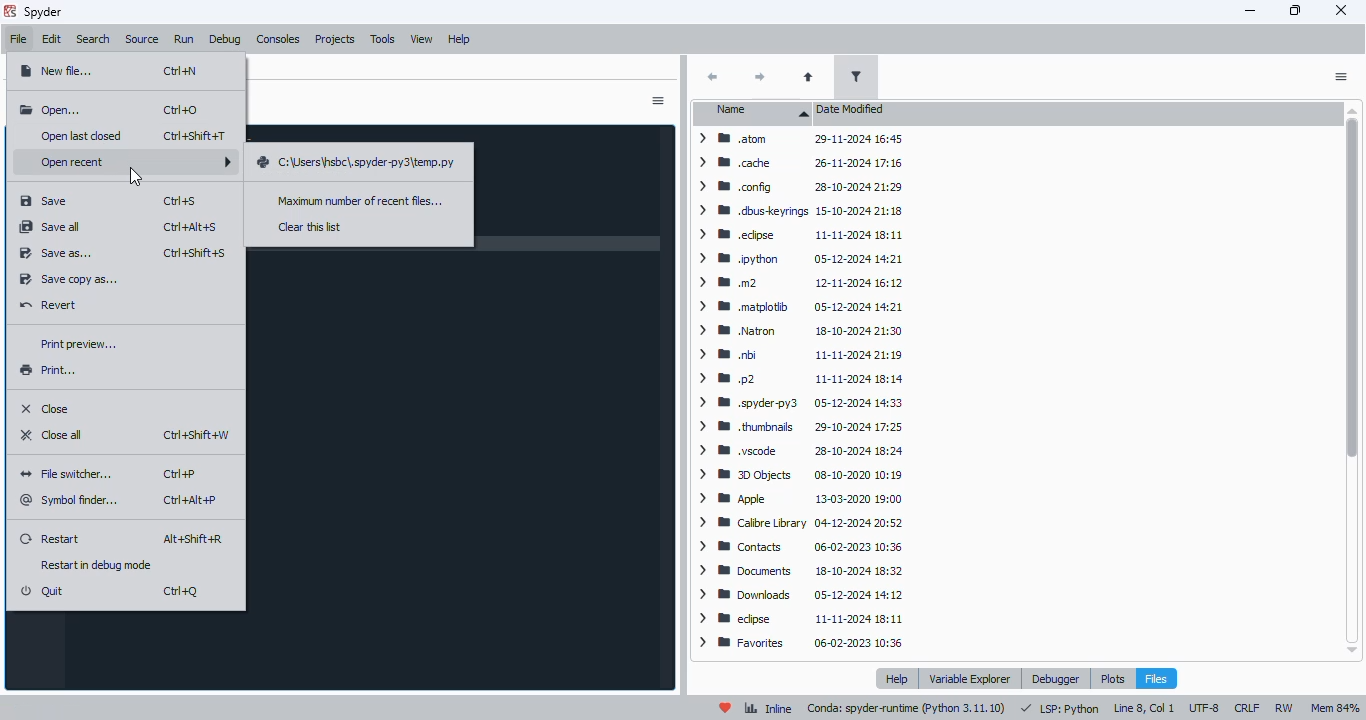 Image resolution: width=1366 pixels, height=720 pixels. Describe the element at coordinates (76, 344) in the screenshot. I see `print preview` at that location.